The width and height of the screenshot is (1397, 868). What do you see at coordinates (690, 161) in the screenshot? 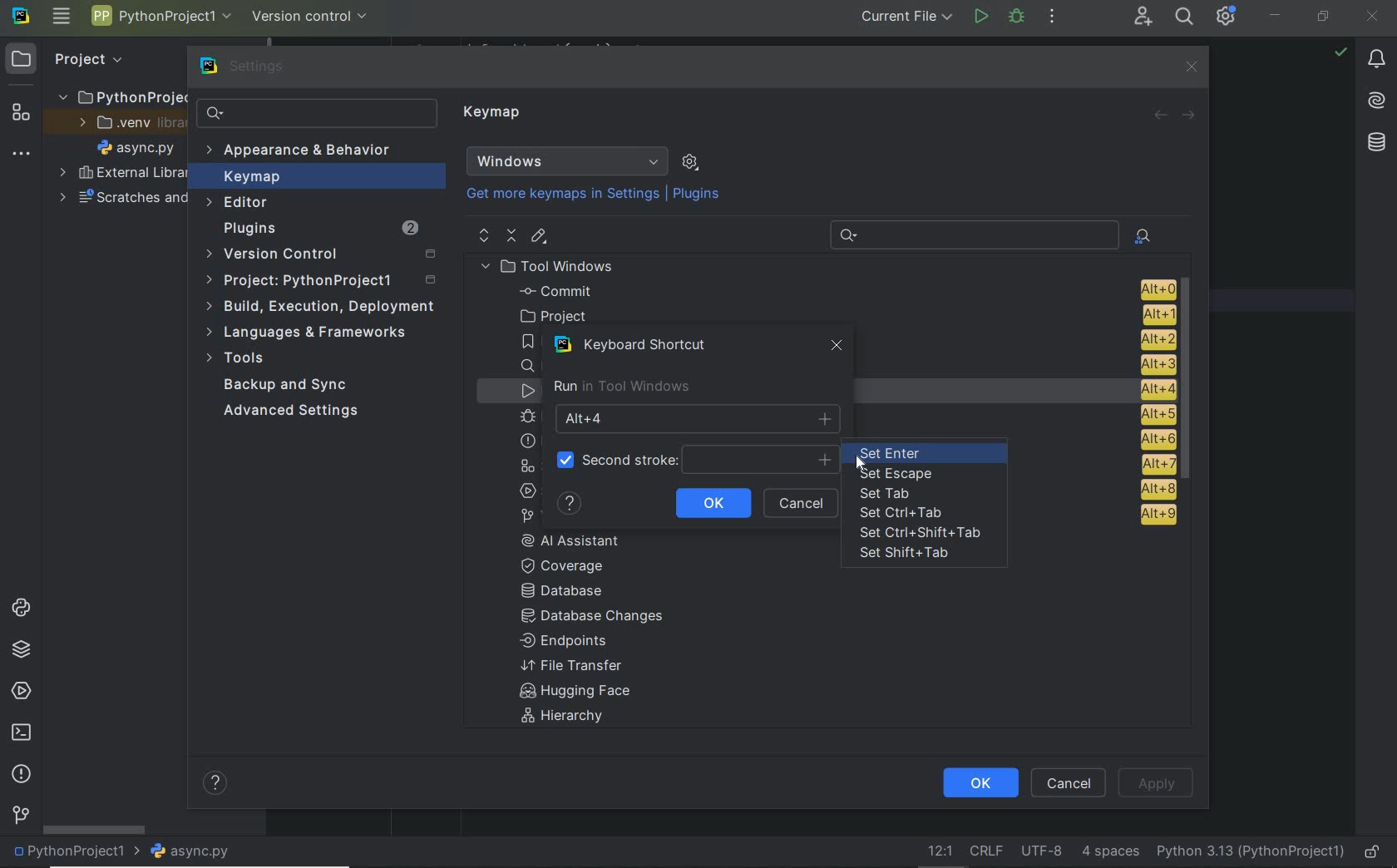
I see `show scheme actions` at bounding box center [690, 161].